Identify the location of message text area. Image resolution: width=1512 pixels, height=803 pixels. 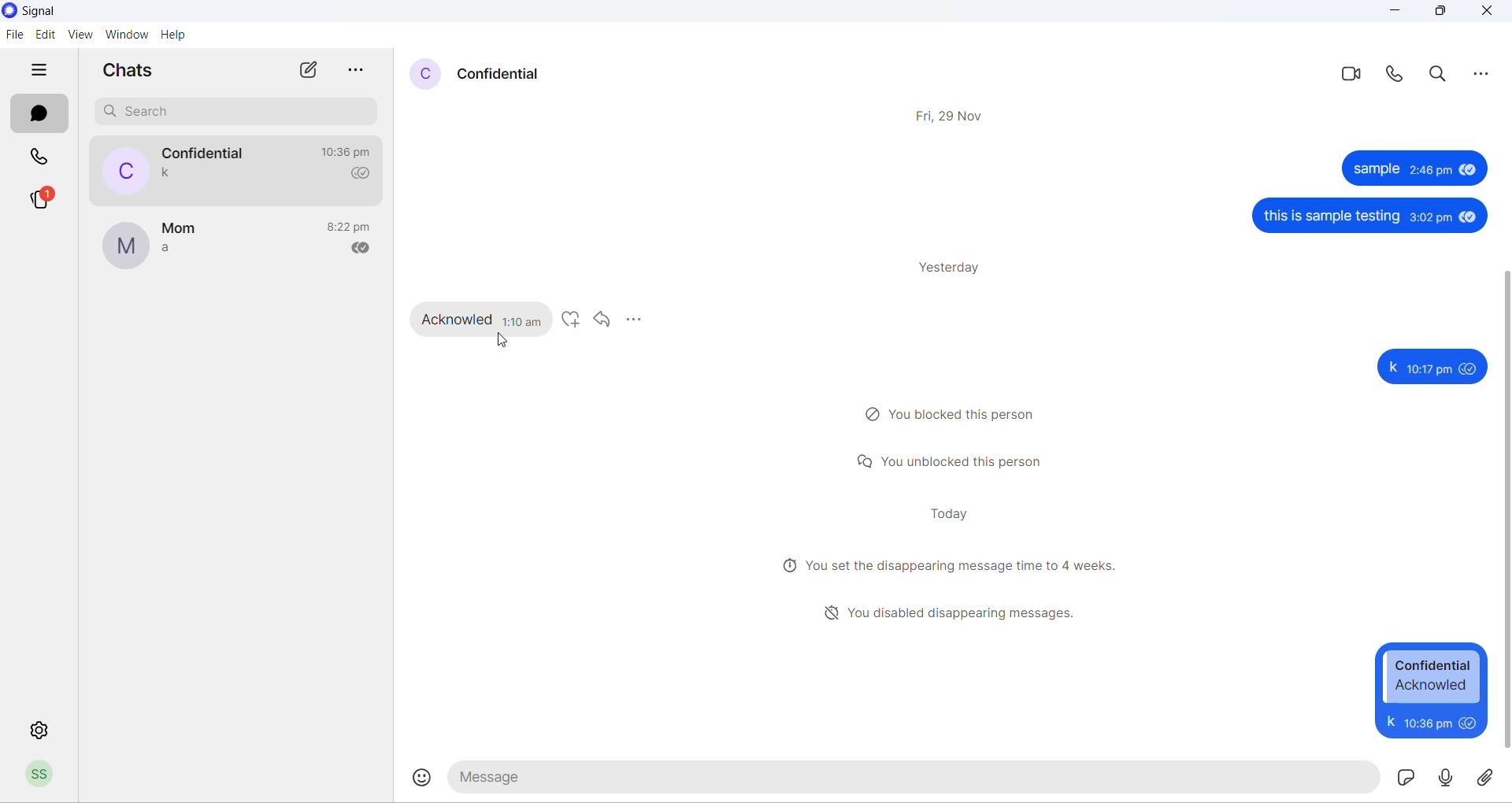
(918, 775).